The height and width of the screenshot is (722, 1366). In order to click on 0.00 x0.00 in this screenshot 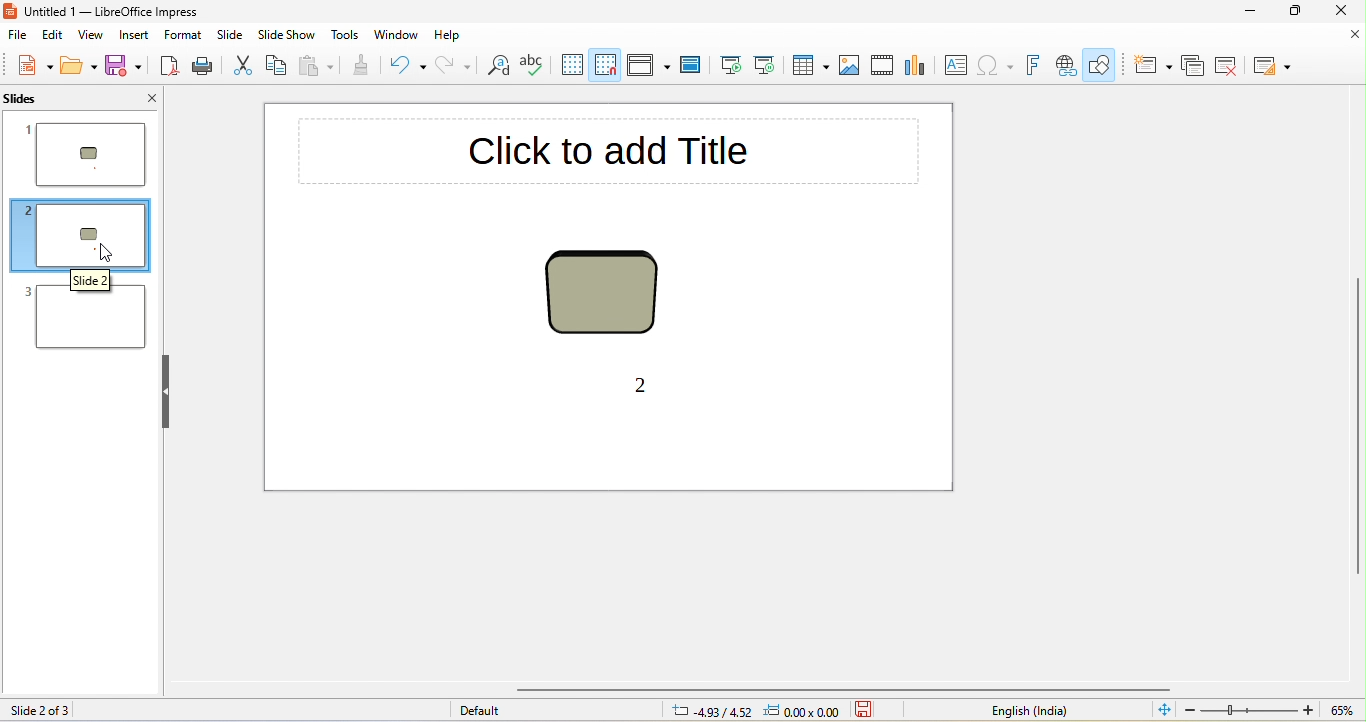, I will do `click(805, 711)`.